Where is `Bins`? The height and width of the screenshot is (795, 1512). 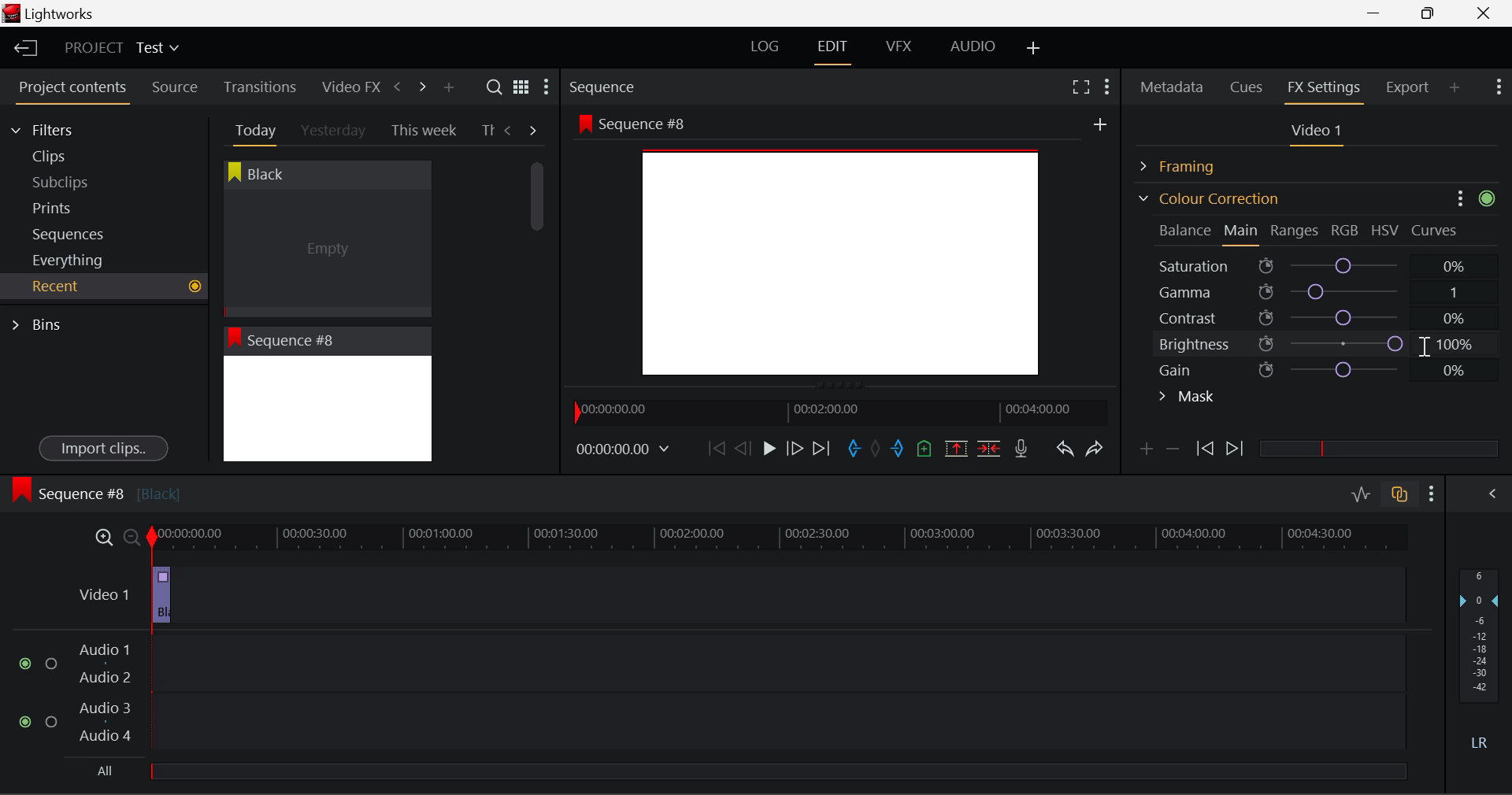 Bins is located at coordinates (42, 323).